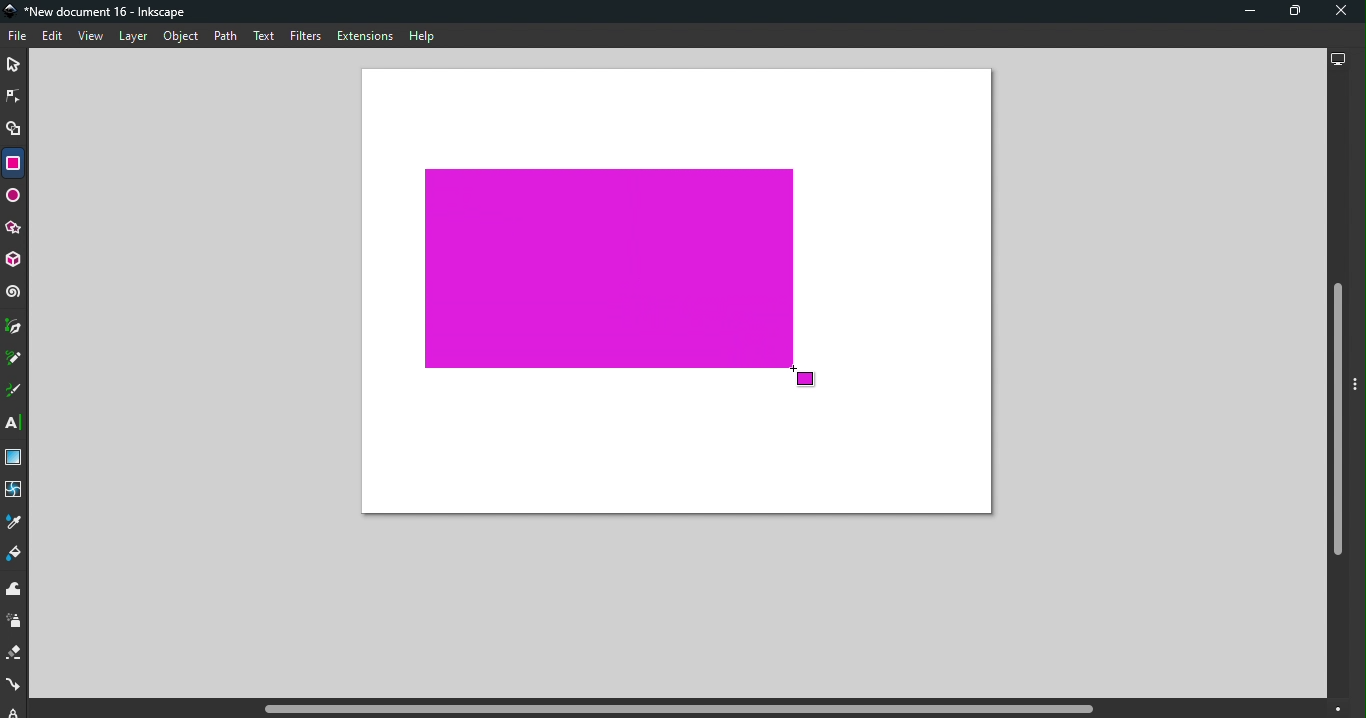 The width and height of the screenshot is (1366, 718). I want to click on Tweak tool, so click(18, 590).